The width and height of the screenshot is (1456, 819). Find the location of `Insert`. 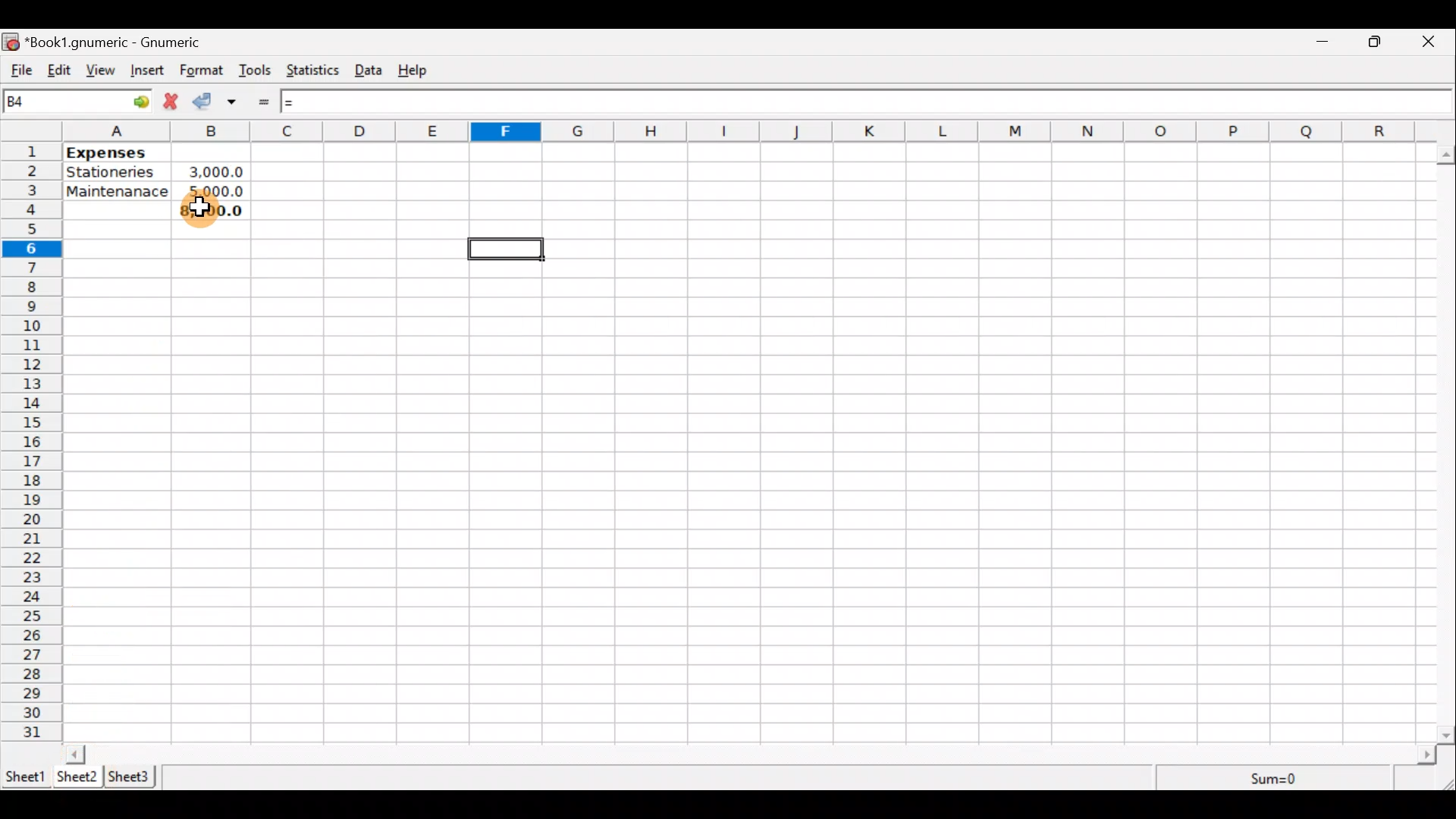

Insert is located at coordinates (150, 72).